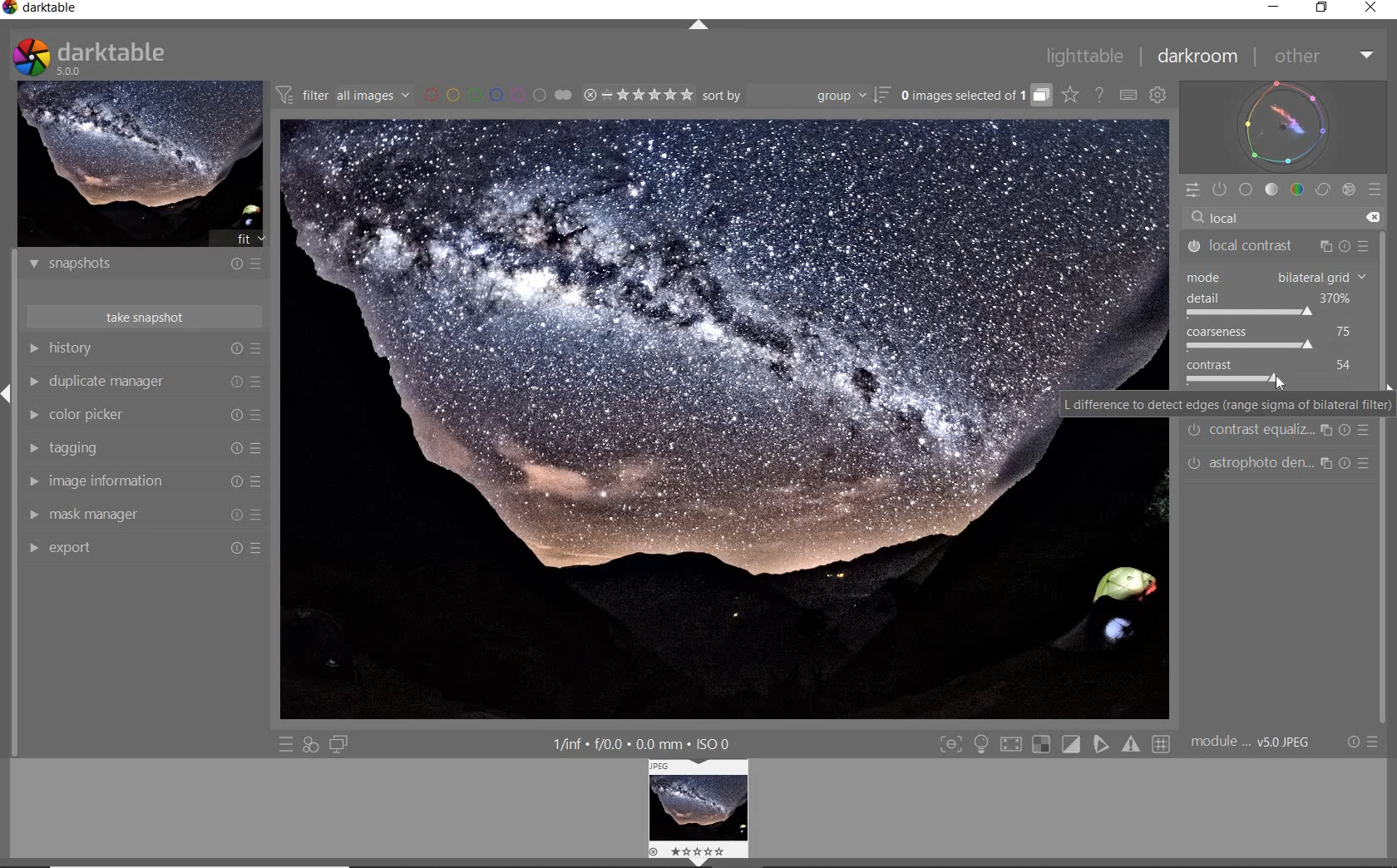  Describe the element at coordinates (64, 8) in the screenshot. I see `SYSTEM NAME` at that location.